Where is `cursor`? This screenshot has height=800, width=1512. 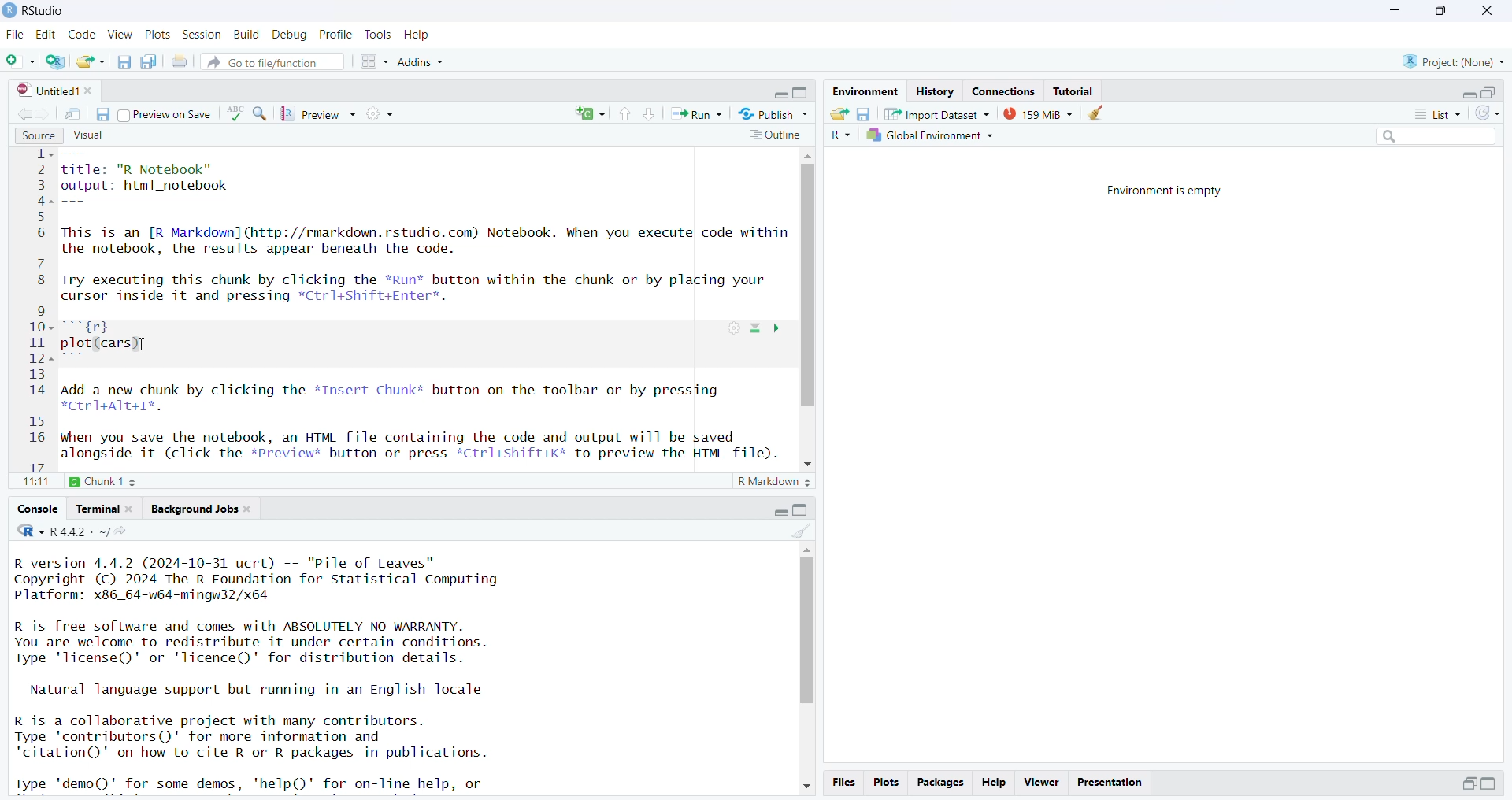
cursor is located at coordinates (143, 345).